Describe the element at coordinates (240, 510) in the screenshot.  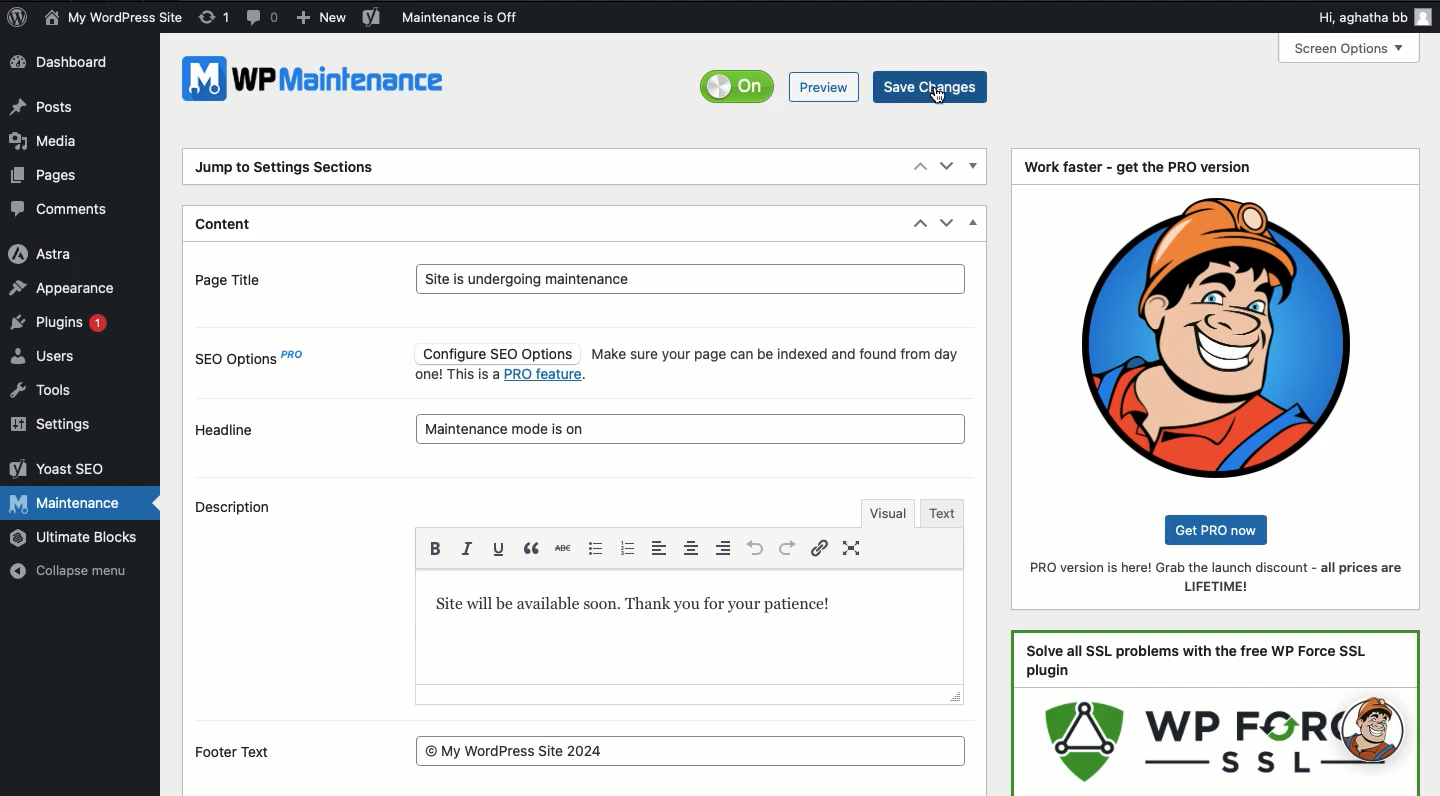
I see `Description` at that location.